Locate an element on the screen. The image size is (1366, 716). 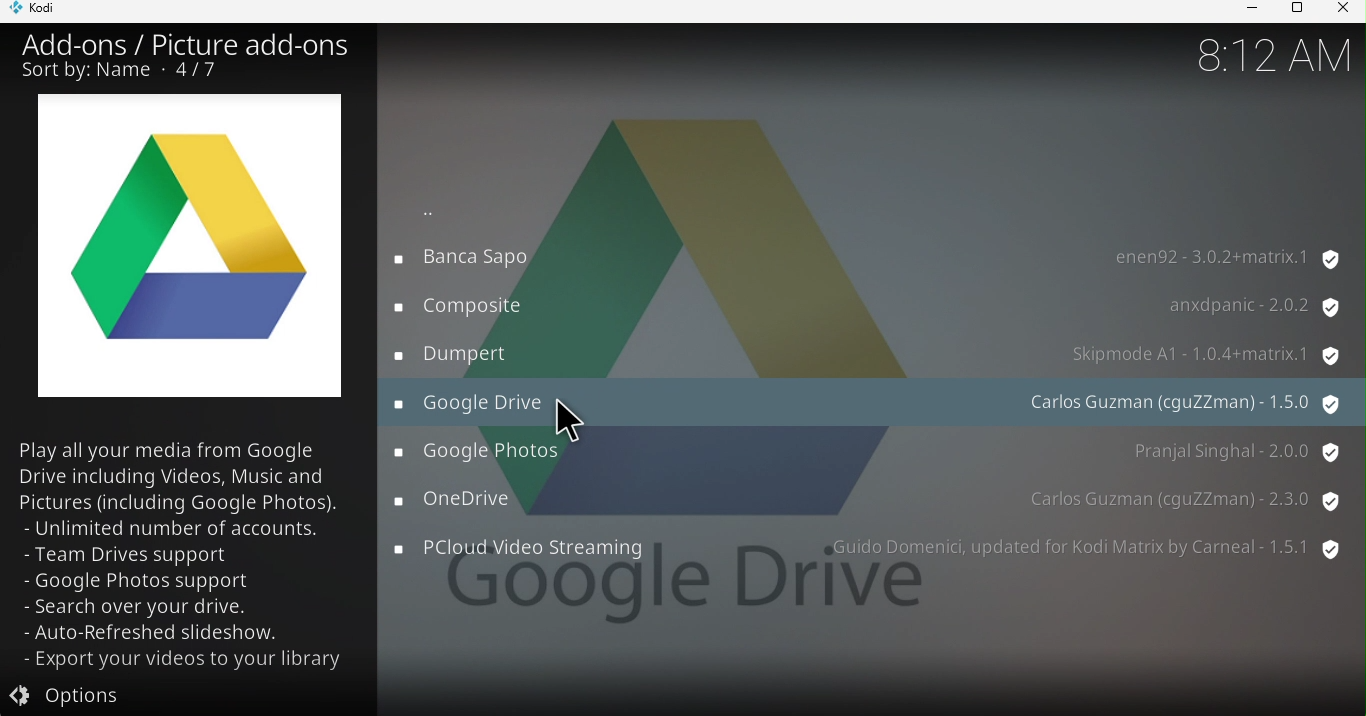
One drive icon is located at coordinates (194, 253).